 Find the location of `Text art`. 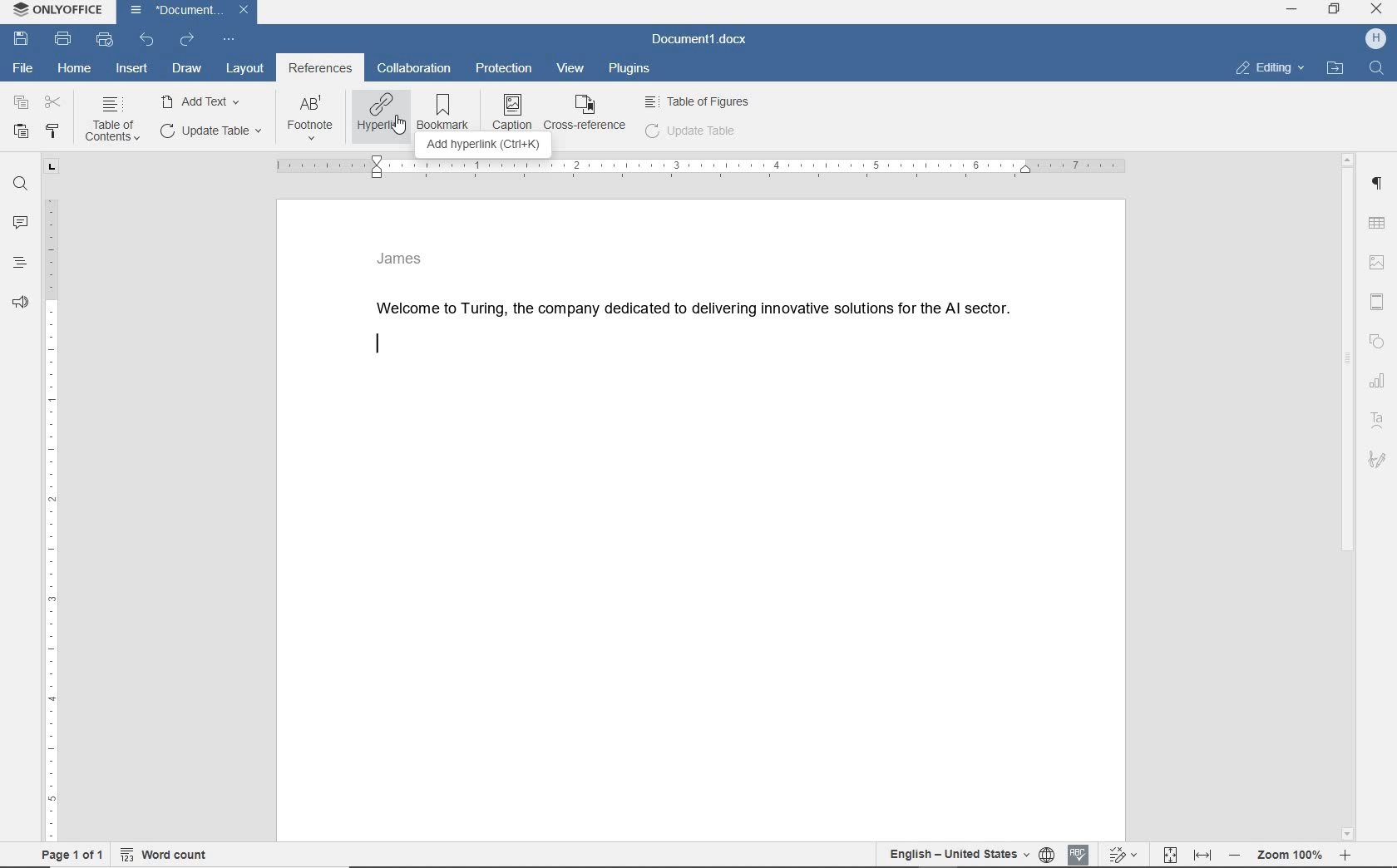

Text art is located at coordinates (1381, 419).